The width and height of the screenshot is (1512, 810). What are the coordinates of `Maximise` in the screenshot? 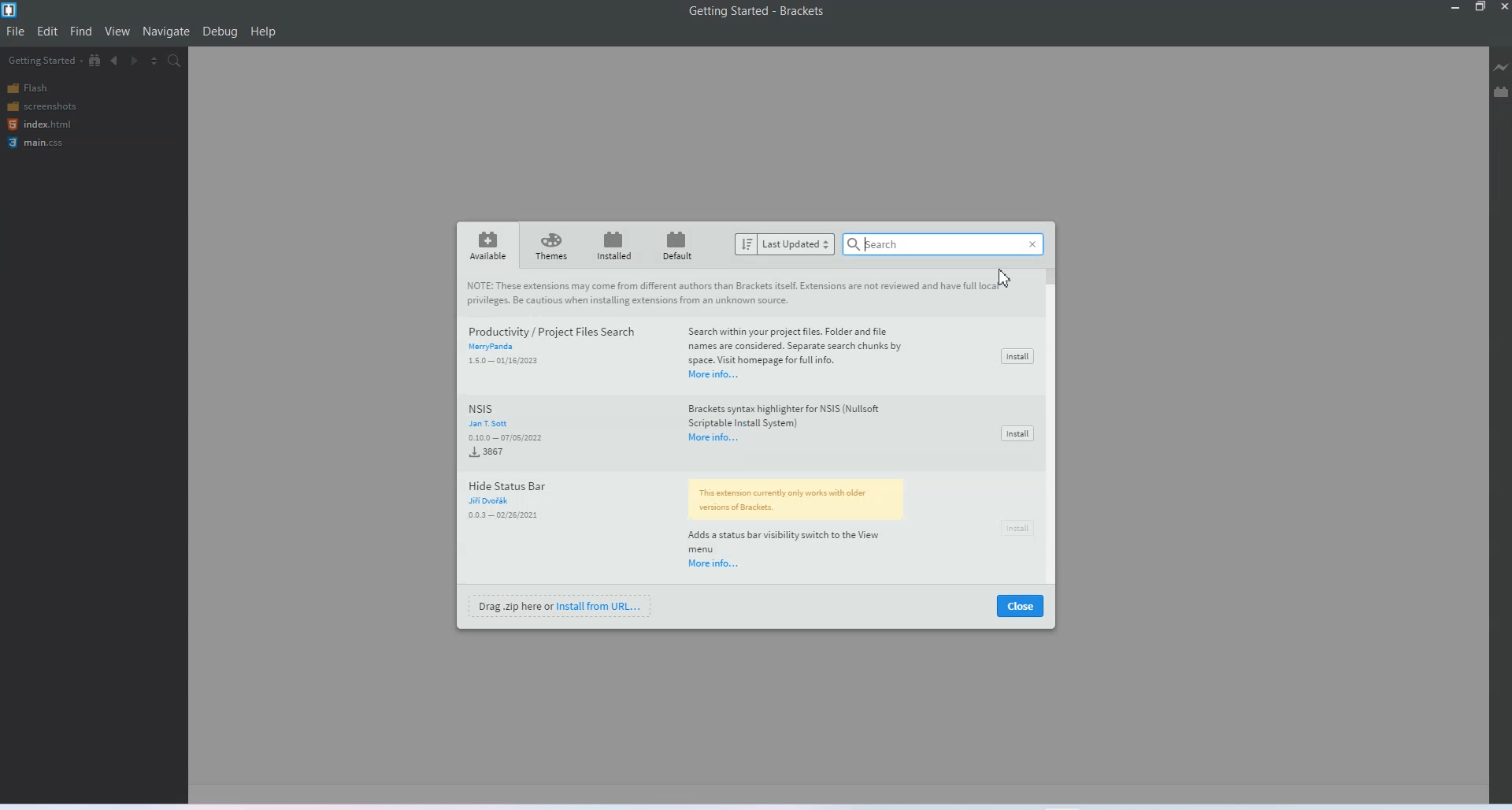 It's located at (1480, 7).